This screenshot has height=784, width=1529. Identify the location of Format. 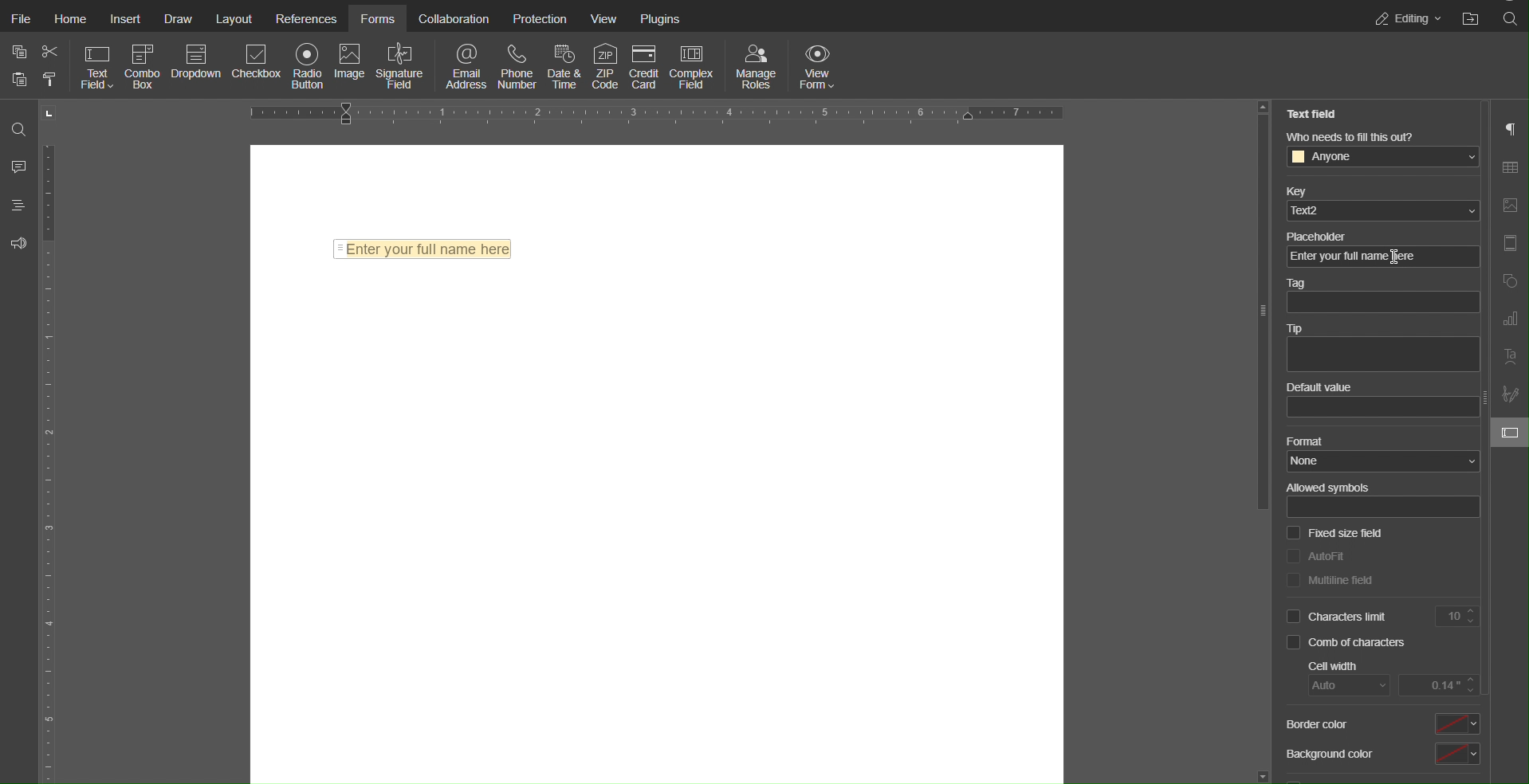
(1378, 453).